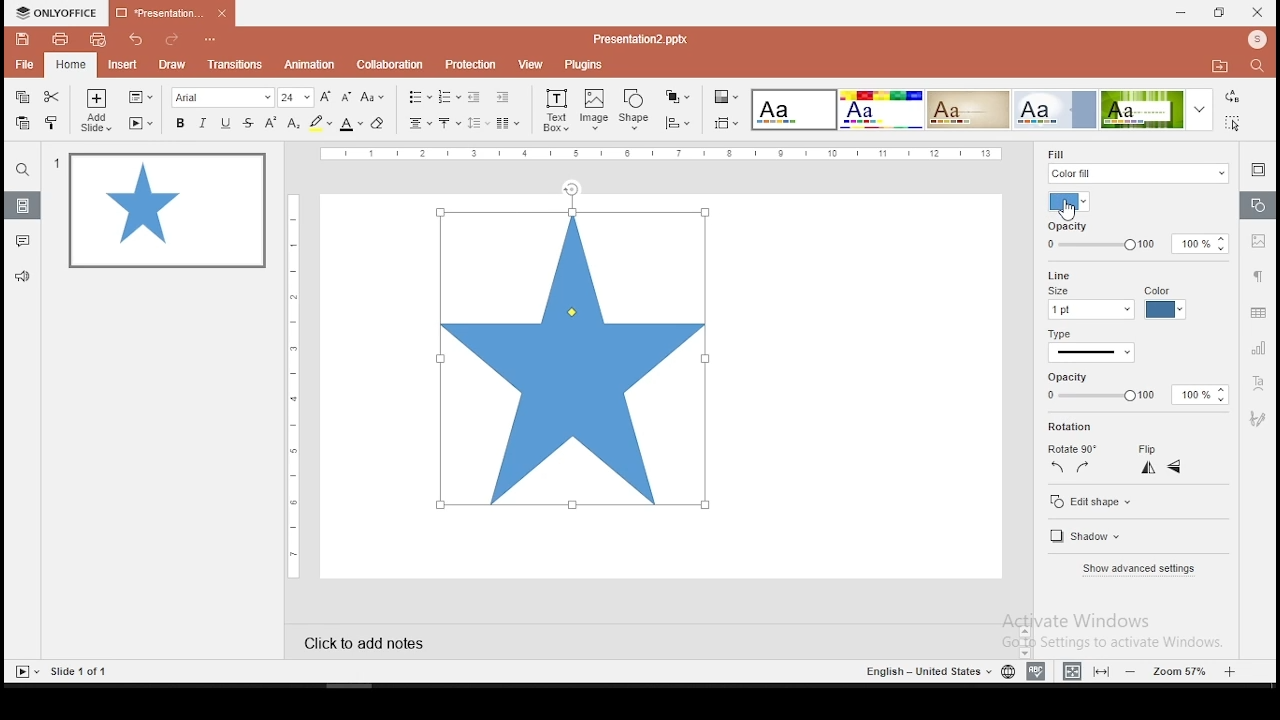  What do you see at coordinates (1055, 275) in the screenshot?
I see `line` at bounding box center [1055, 275].